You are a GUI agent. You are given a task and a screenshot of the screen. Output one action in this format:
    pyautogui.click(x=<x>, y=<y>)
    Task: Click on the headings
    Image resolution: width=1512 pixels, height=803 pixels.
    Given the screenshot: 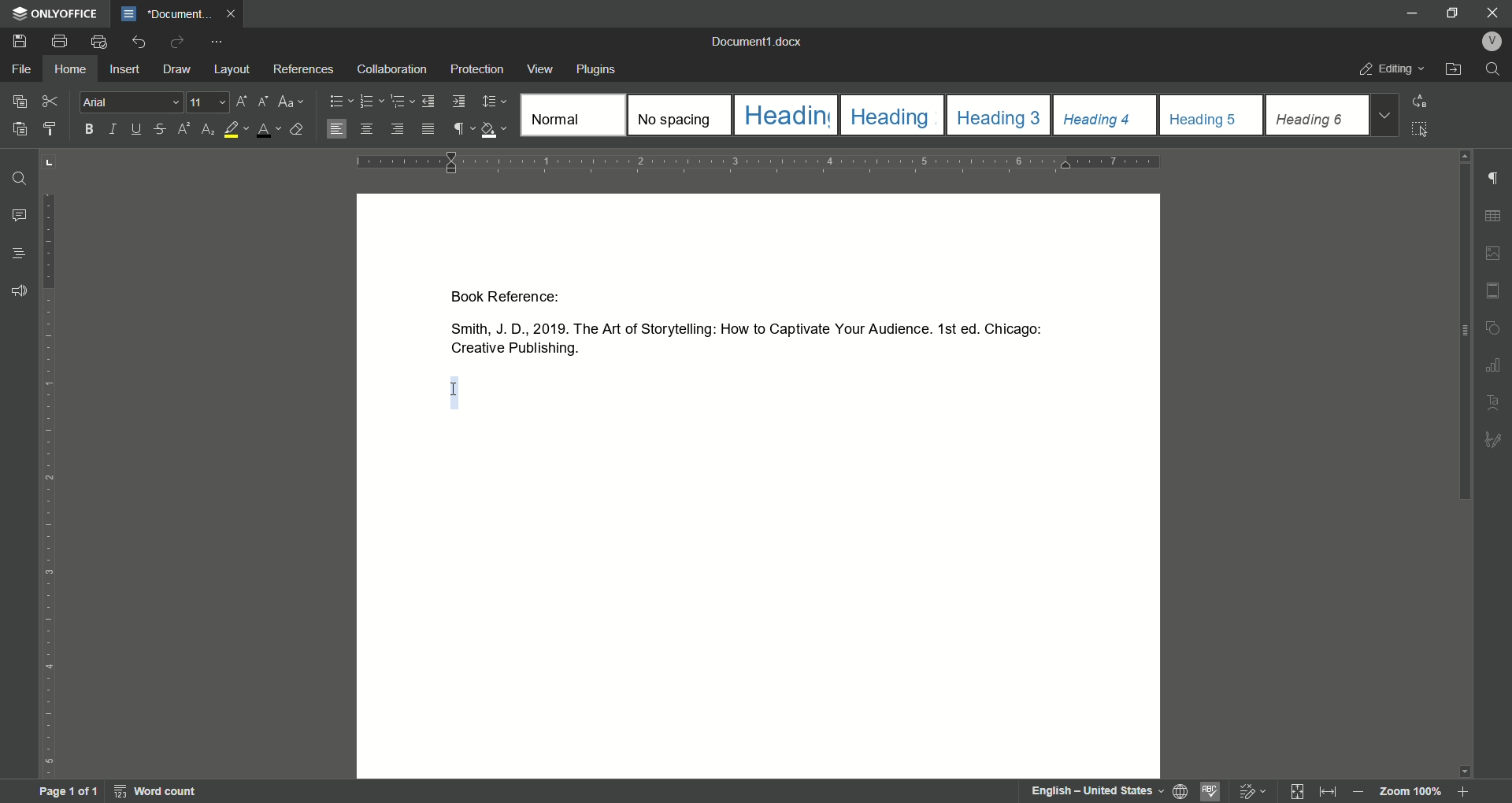 What is the action you would take?
    pyautogui.click(x=784, y=115)
    